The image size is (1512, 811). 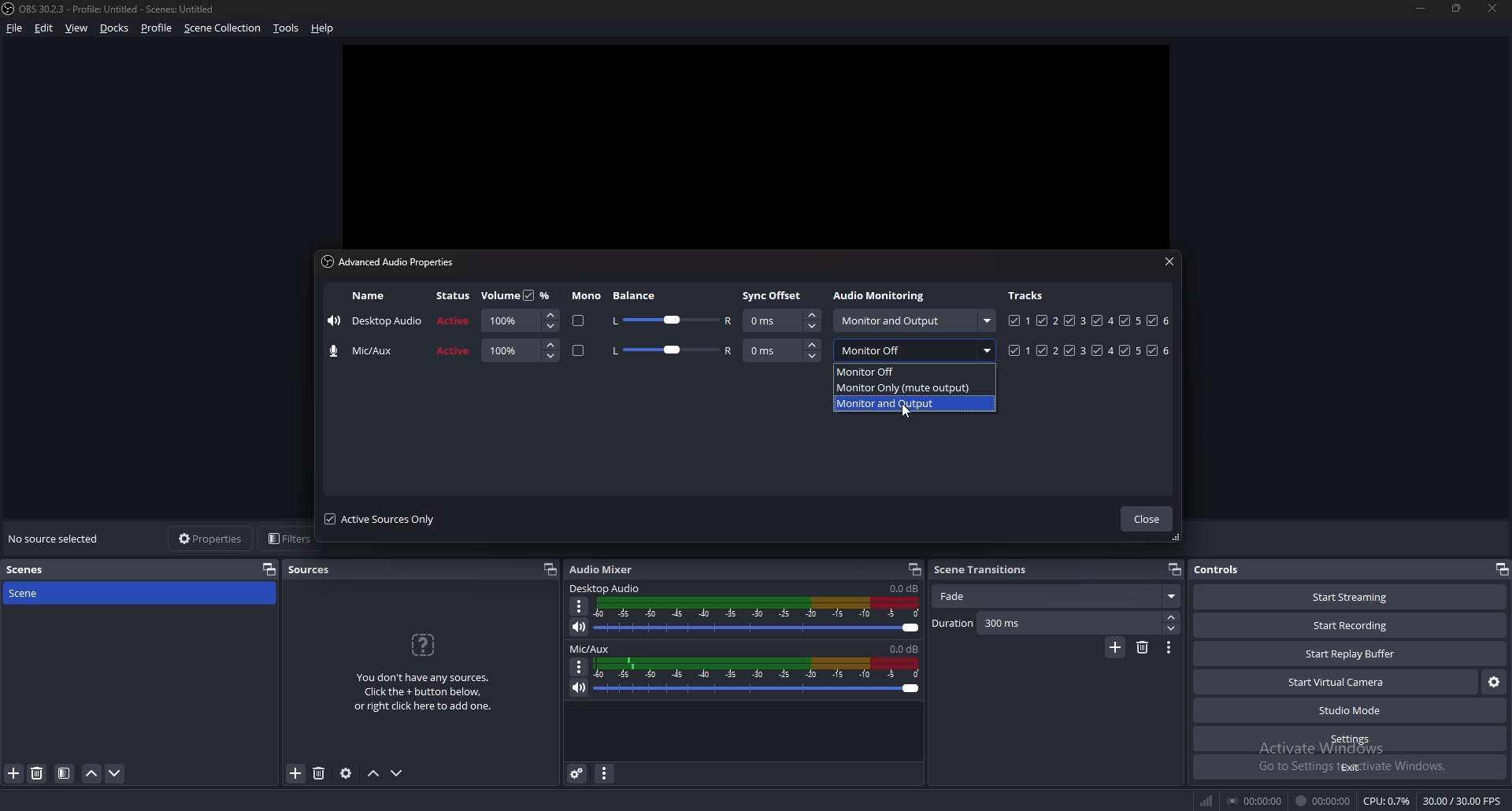 What do you see at coordinates (1349, 711) in the screenshot?
I see `studio mode` at bounding box center [1349, 711].